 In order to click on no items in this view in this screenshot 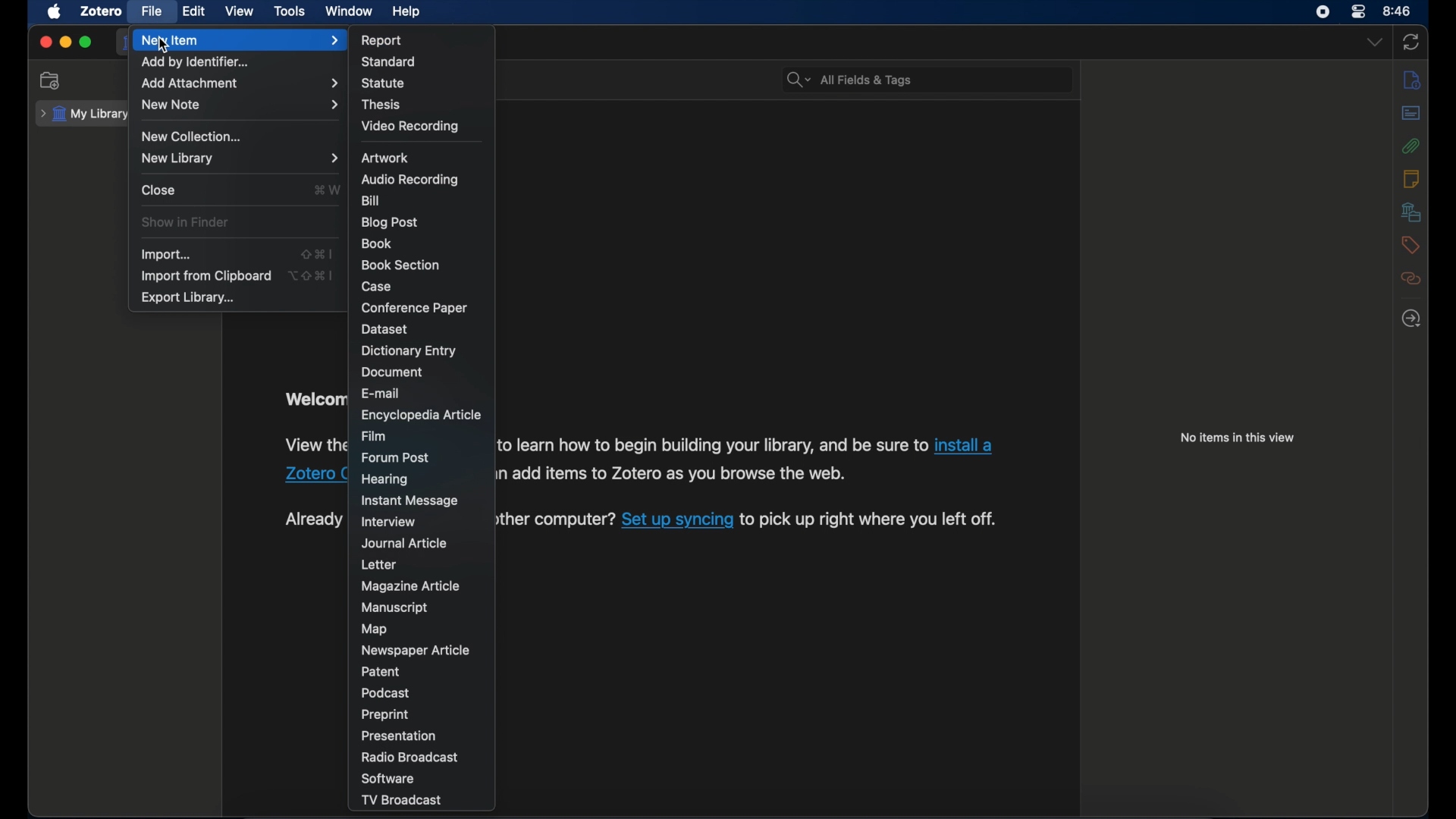, I will do `click(1238, 438)`.